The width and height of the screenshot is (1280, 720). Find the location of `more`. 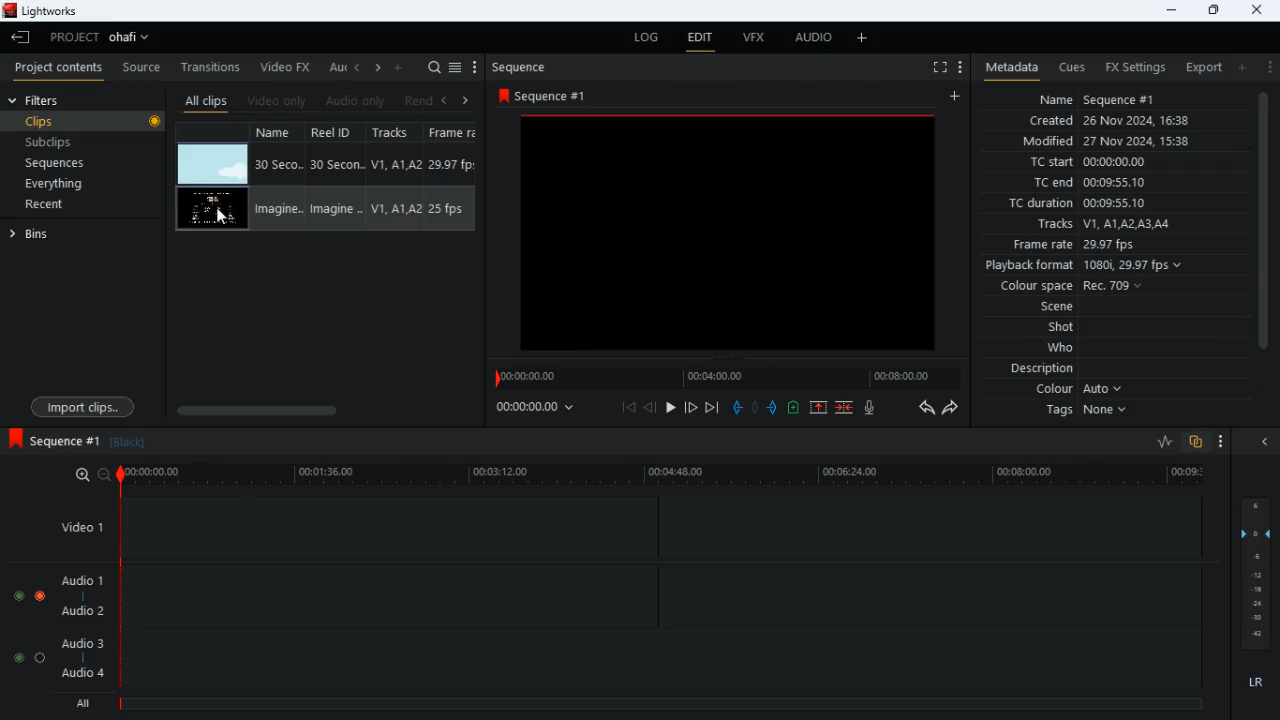

more is located at coordinates (478, 66).